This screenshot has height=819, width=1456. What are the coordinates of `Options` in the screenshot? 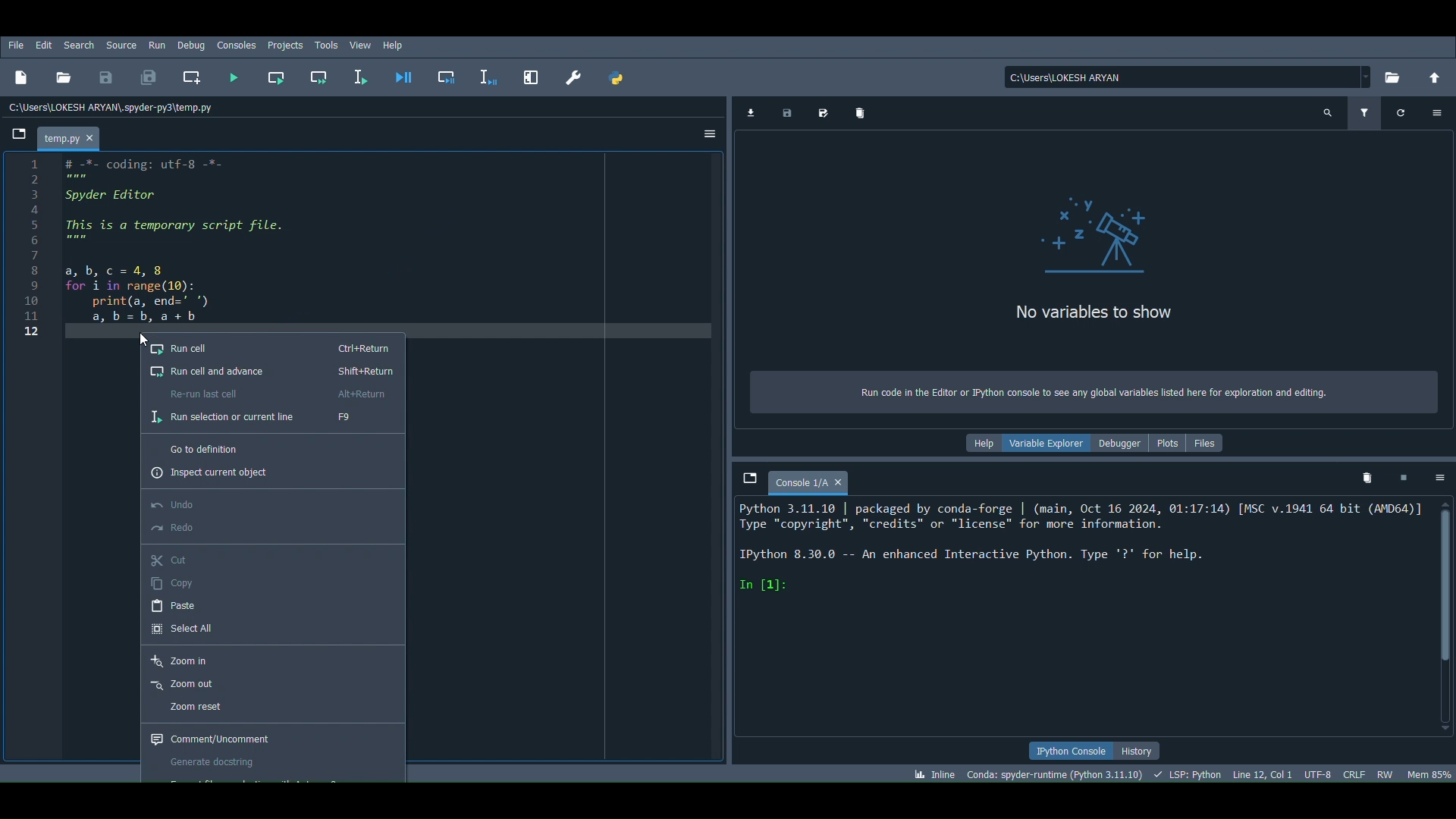 It's located at (708, 133).